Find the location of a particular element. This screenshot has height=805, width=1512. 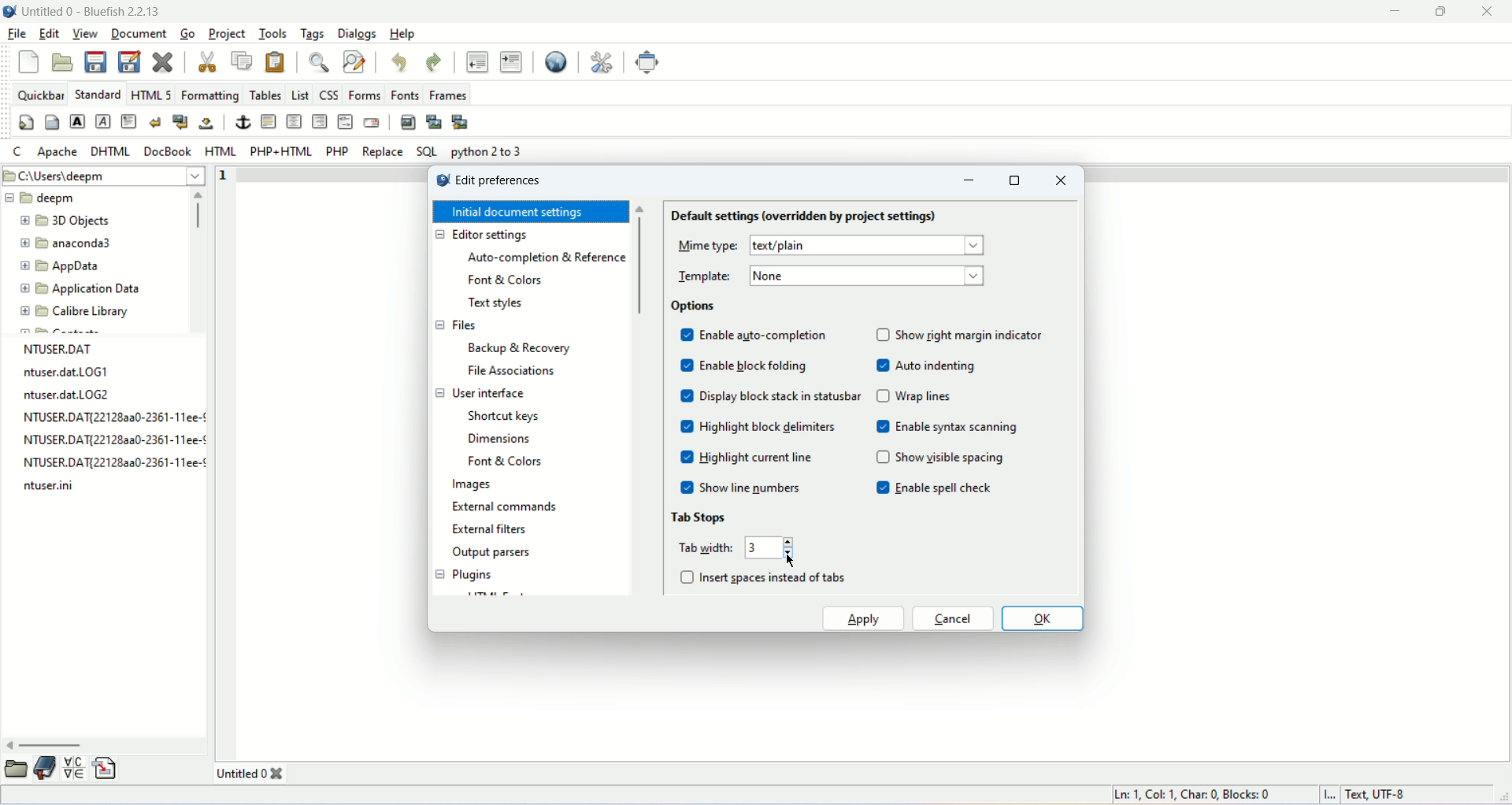

break and clear is located at coordinates (180, 122).